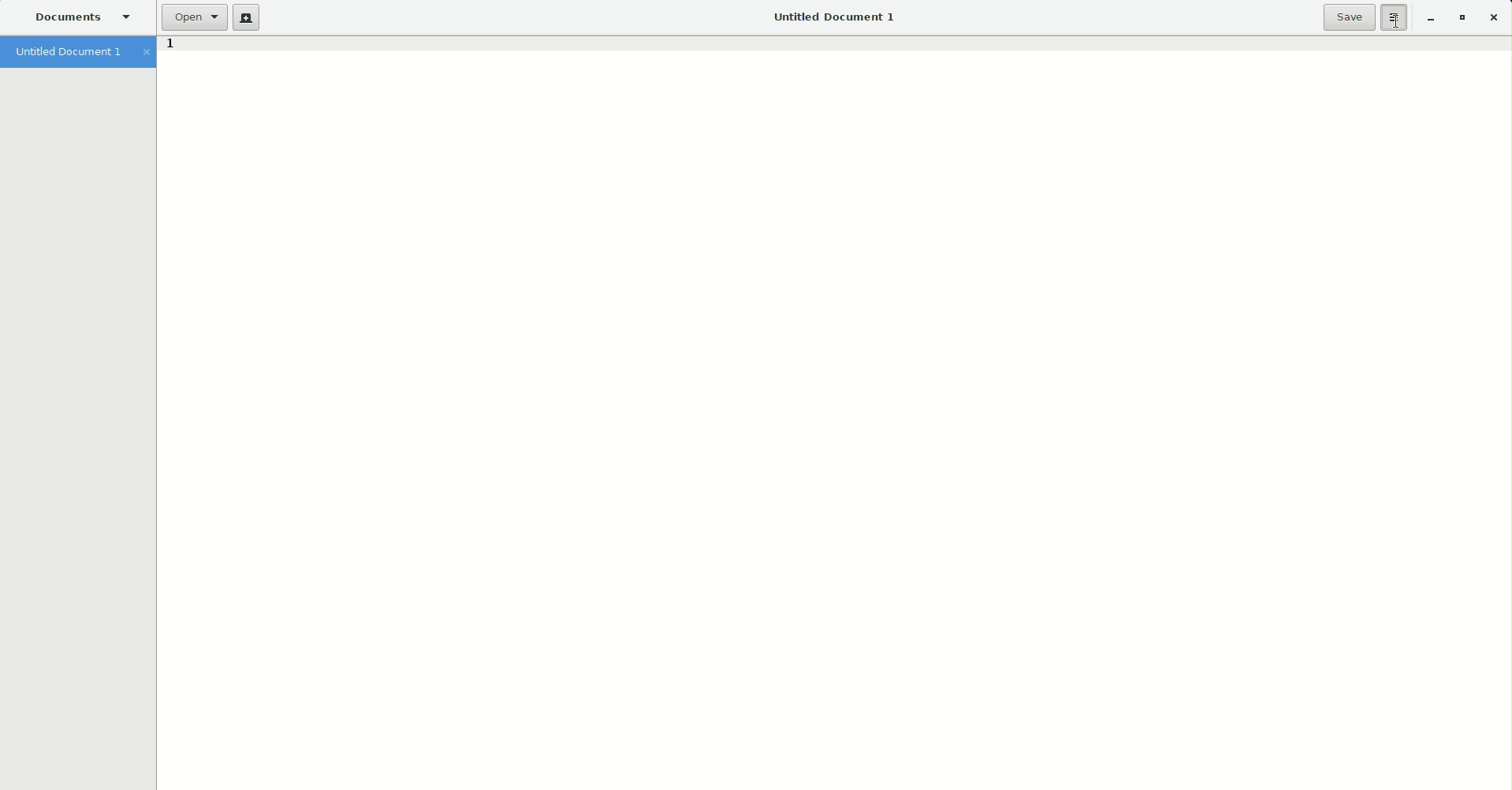  What do you see at coordinates (1492, 17) in the screenshot?
I see `Close` at bounding box center [1492, 17].